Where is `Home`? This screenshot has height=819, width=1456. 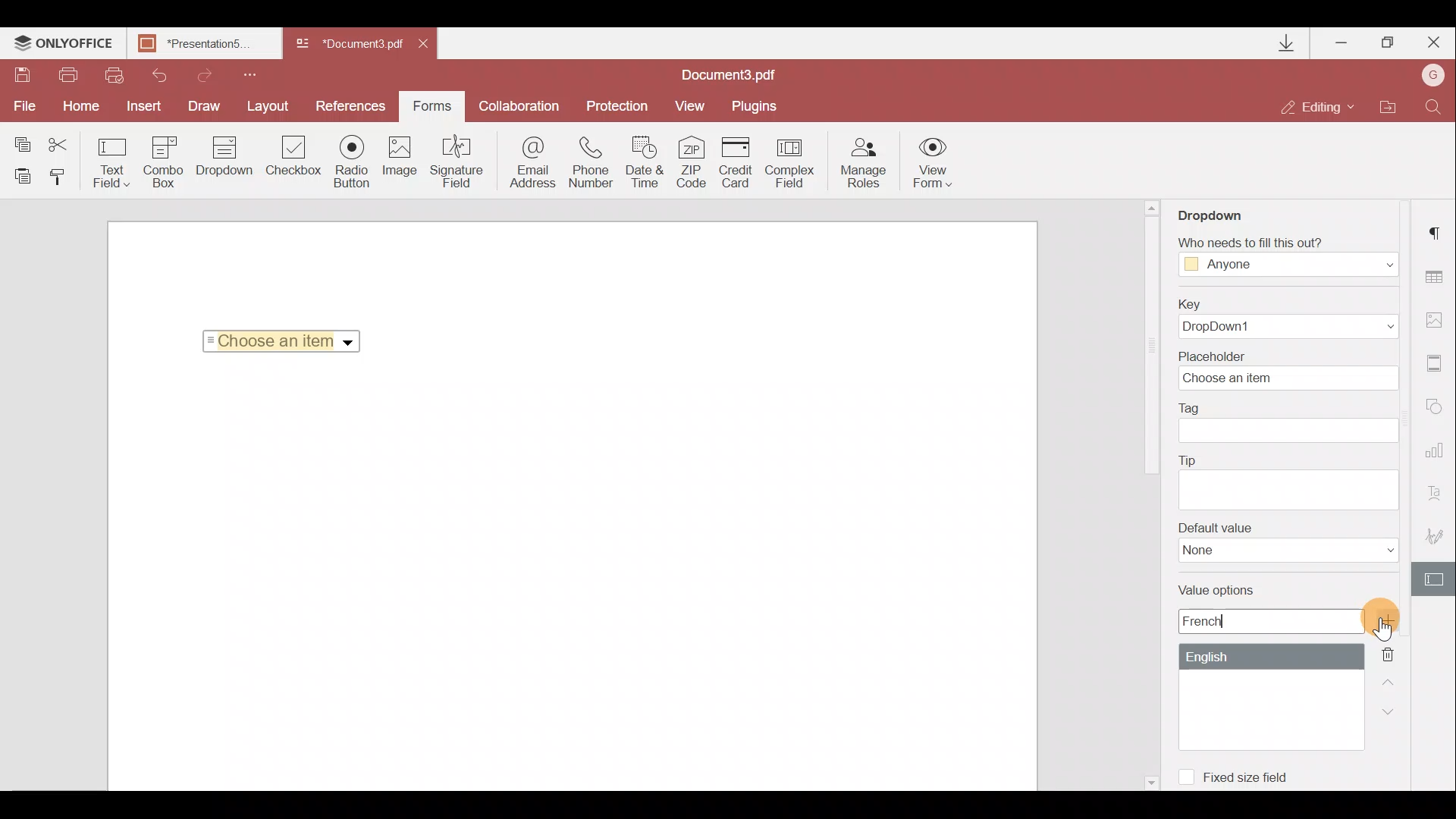 Home is located at coordinates (78, 106).